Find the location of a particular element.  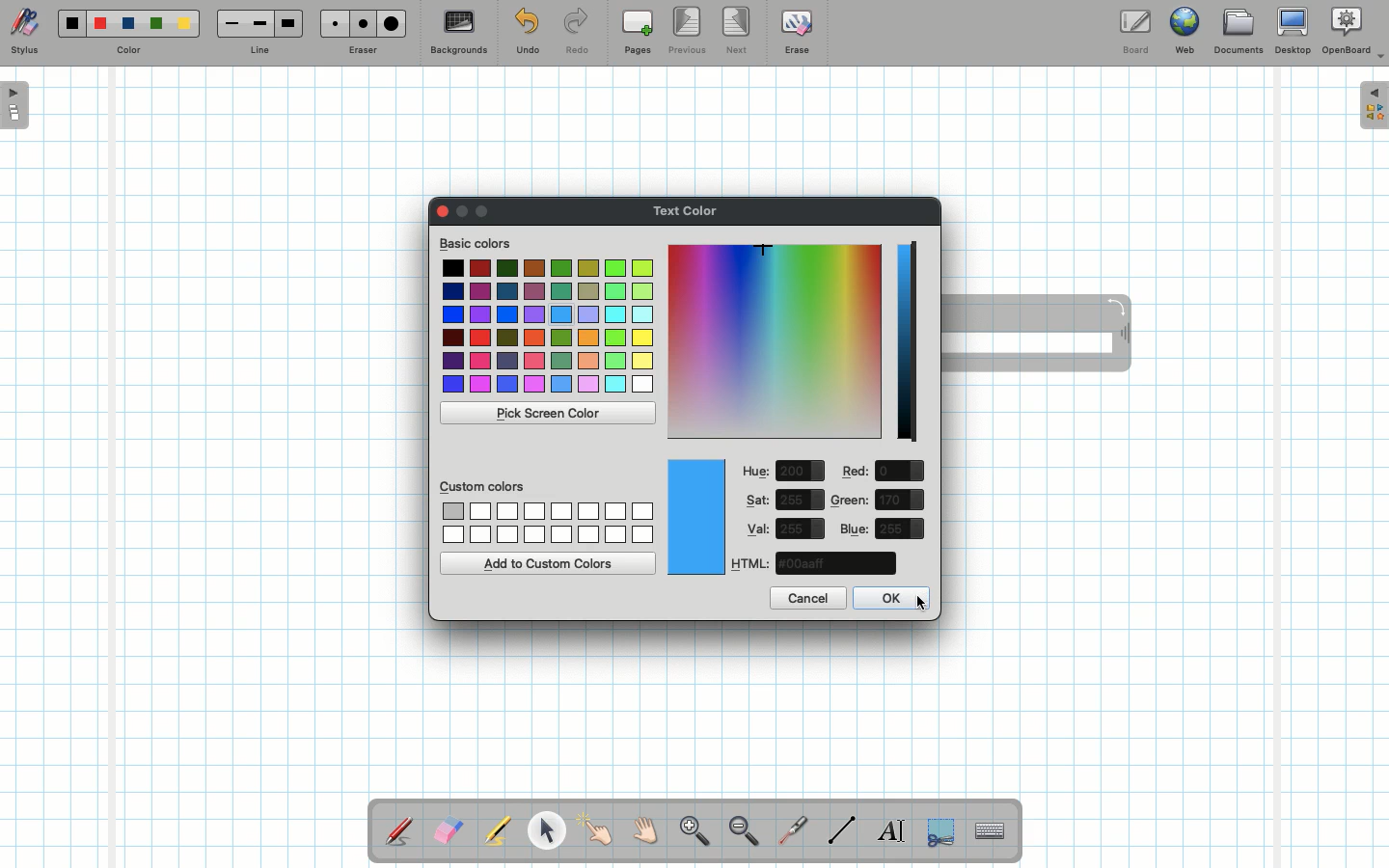

Custom colors is located at coordinates (484, 485).